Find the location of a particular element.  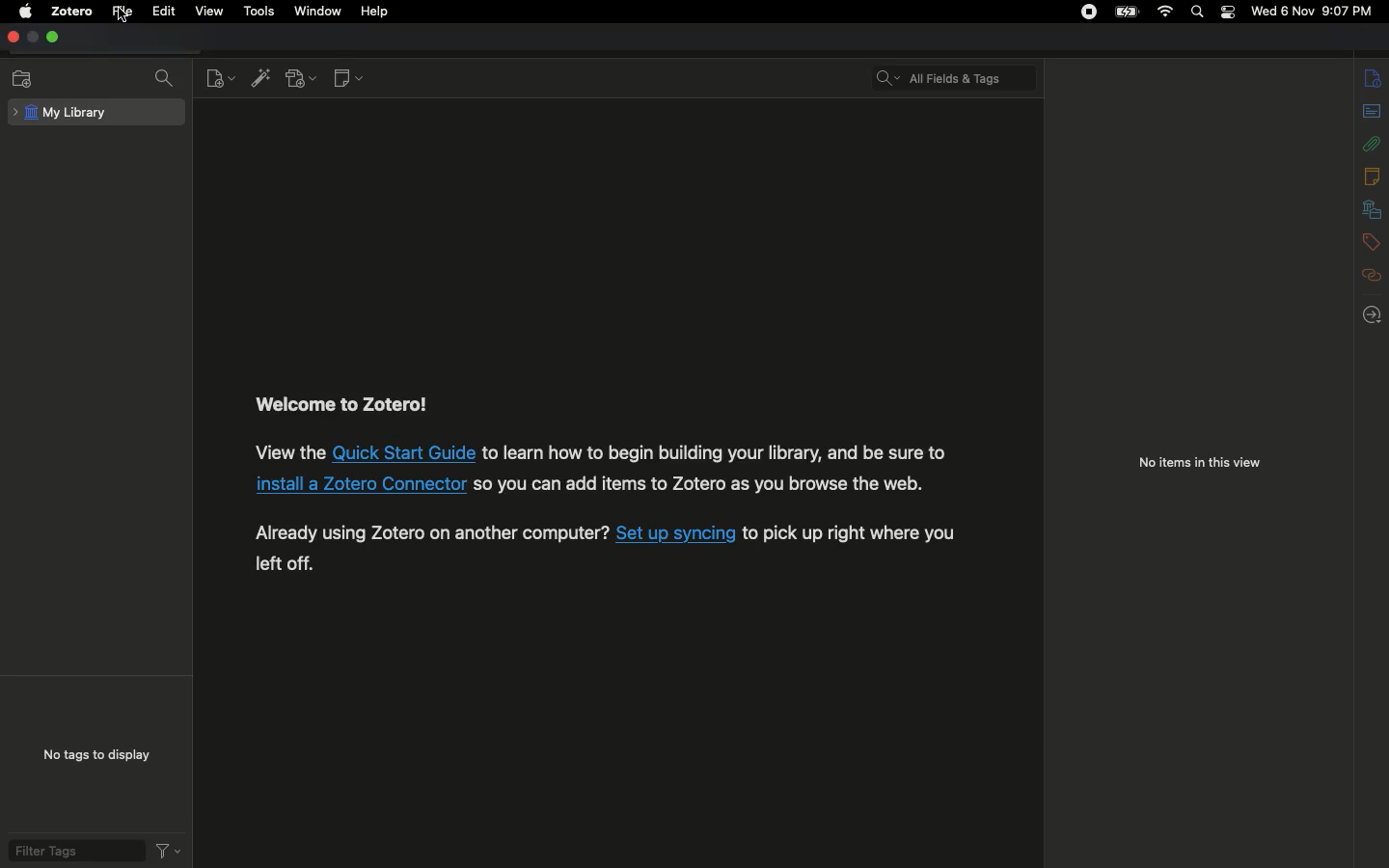

Search is located at coordinates (1198, 12).